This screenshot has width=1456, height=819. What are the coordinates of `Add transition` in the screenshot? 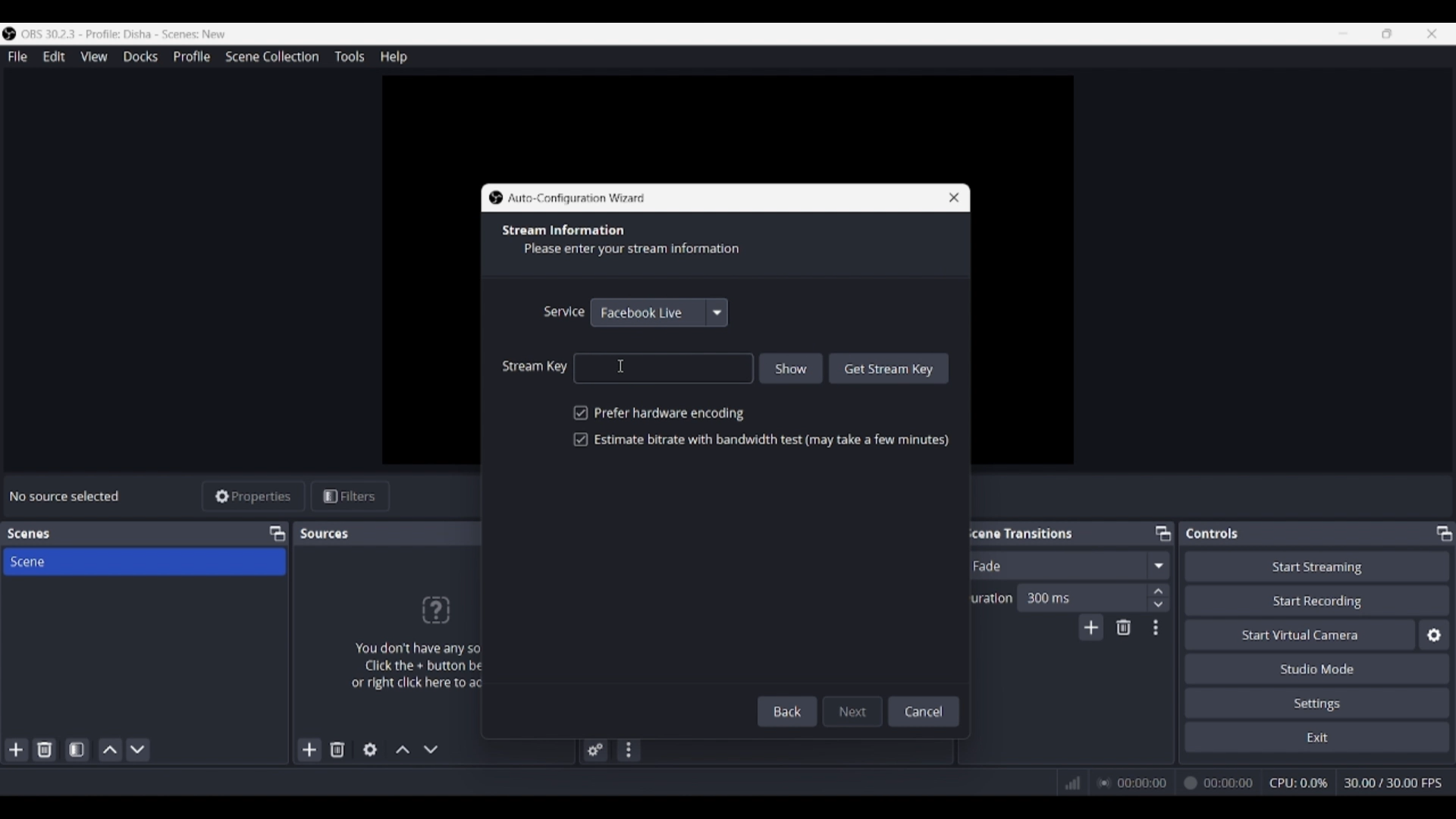 It's located at (1090, 627).